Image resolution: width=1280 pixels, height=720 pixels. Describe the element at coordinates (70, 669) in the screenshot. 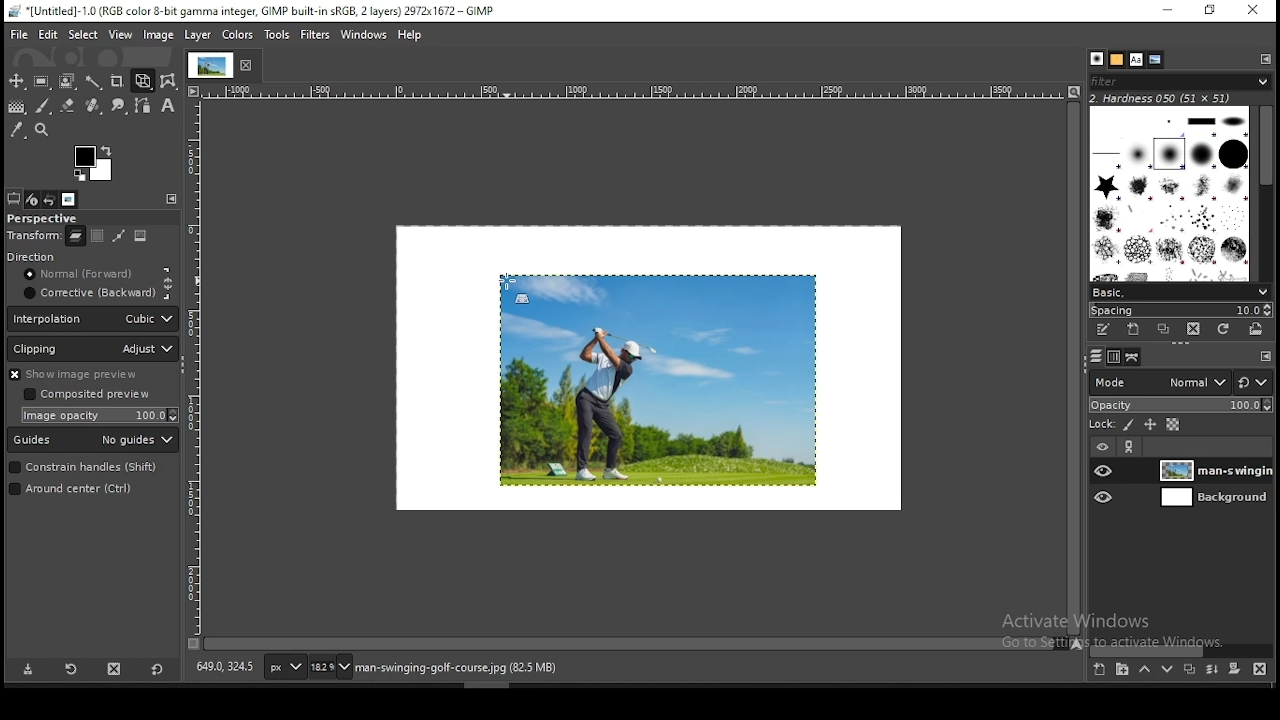

I see `restore tool preset` at that location.